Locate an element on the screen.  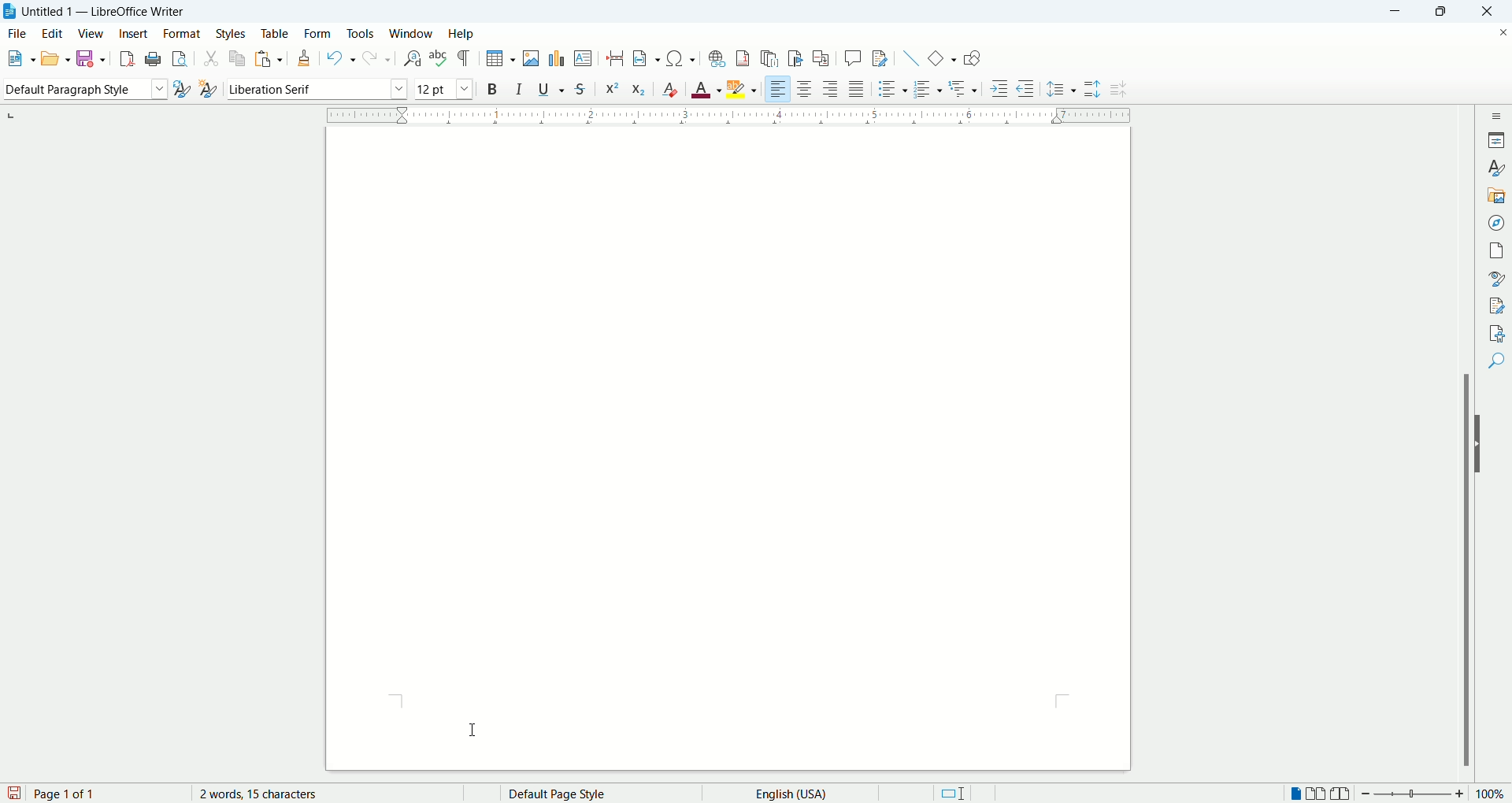
insert endnote is located at coordinates (771, 58).